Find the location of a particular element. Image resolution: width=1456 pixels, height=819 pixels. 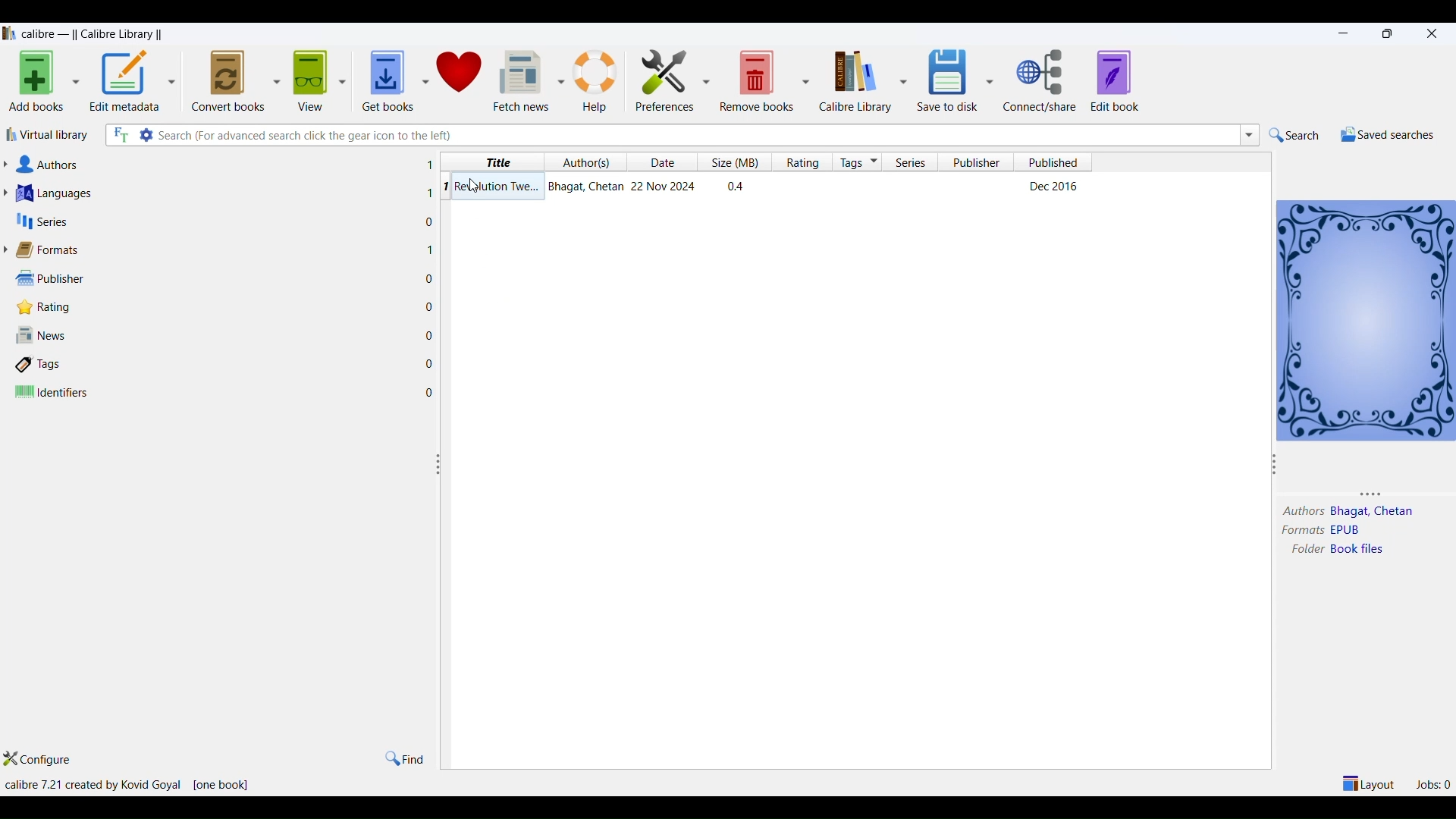

date is located at coordinates (659, 162).